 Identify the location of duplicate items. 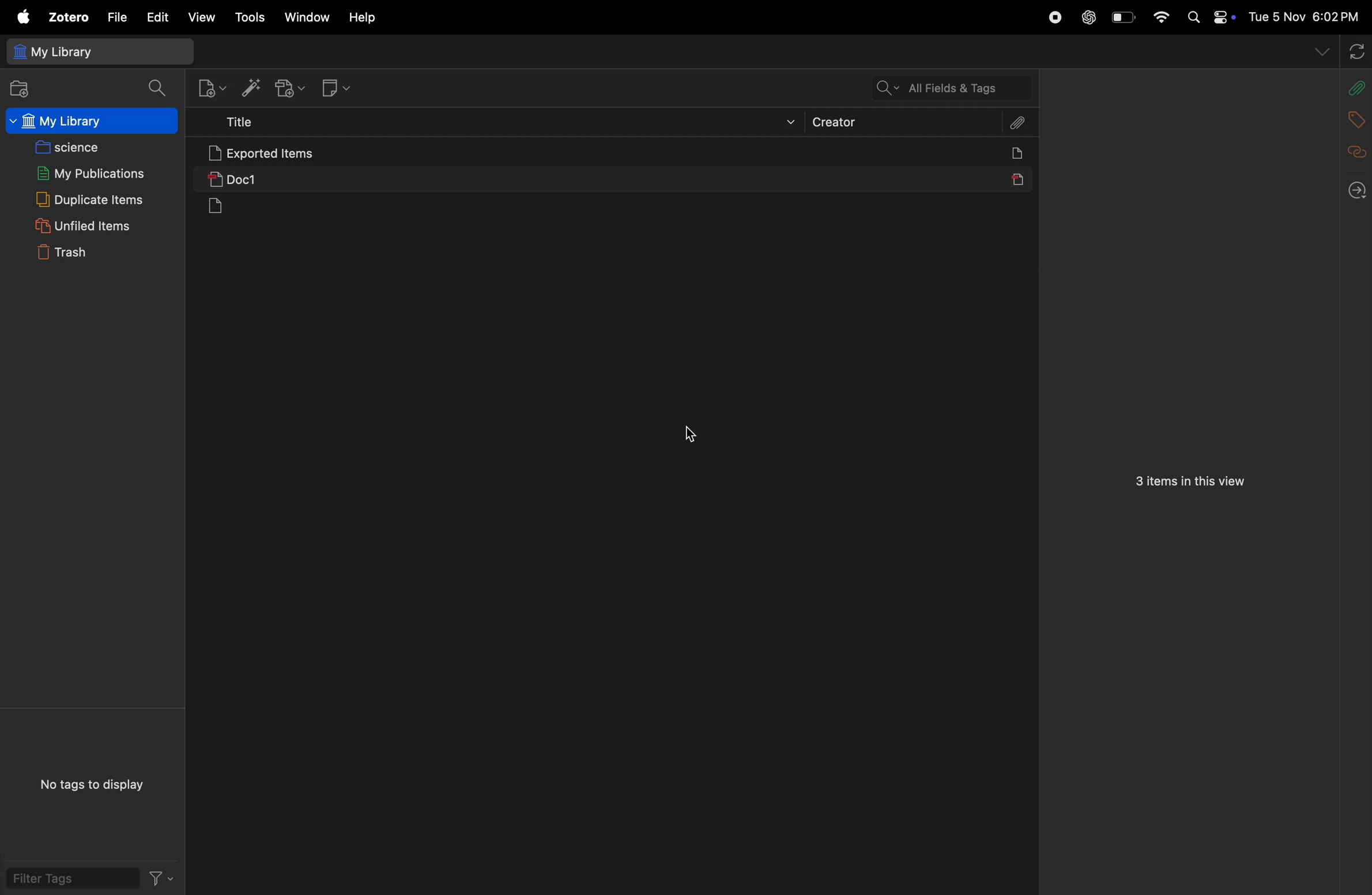
(86, 201).